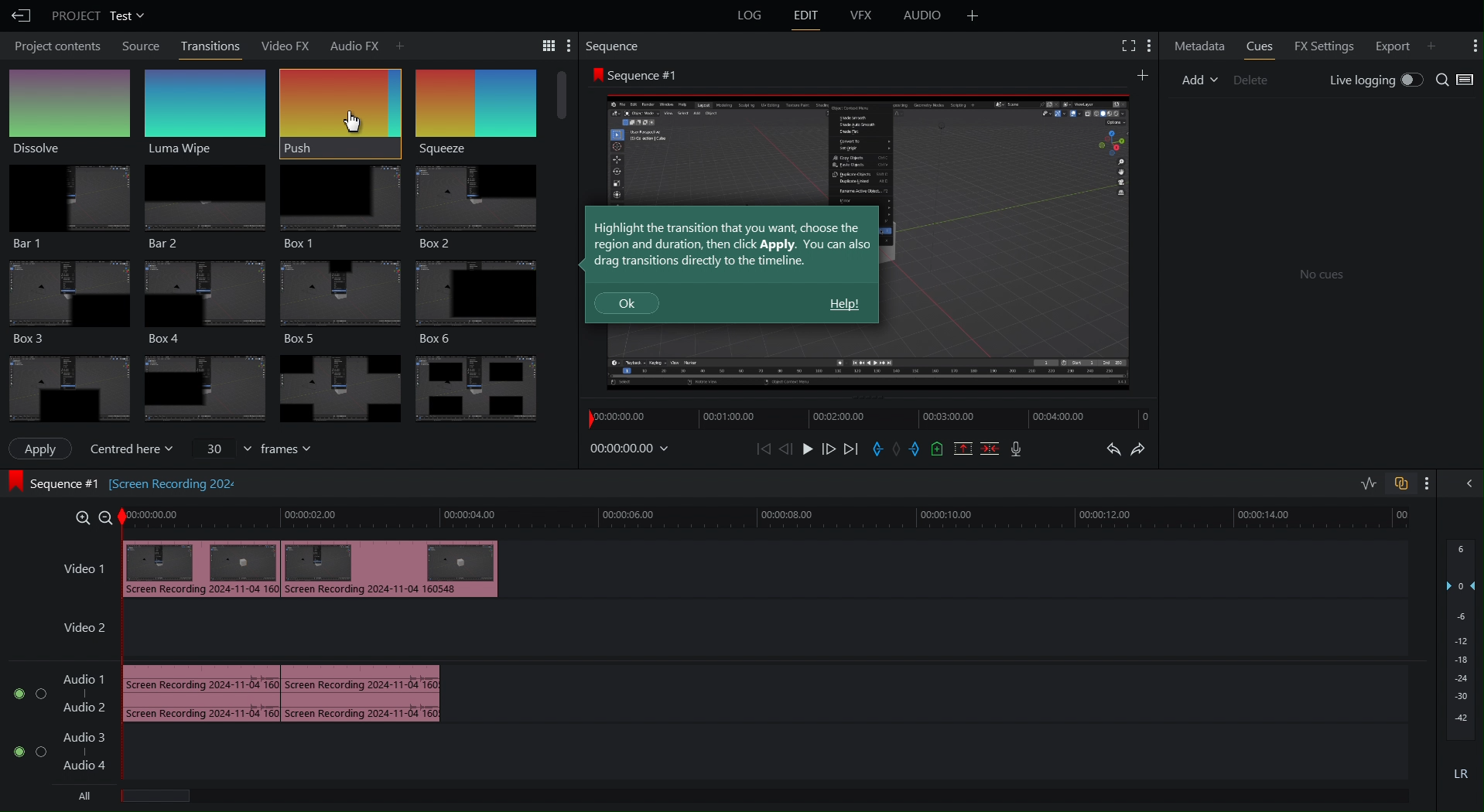 Image resolution: width=1484 pixels, height=812 pixels. What do you see at coordinates (142, 46) in the screenshot?
I see `Source` at bounding box center [142, 46].